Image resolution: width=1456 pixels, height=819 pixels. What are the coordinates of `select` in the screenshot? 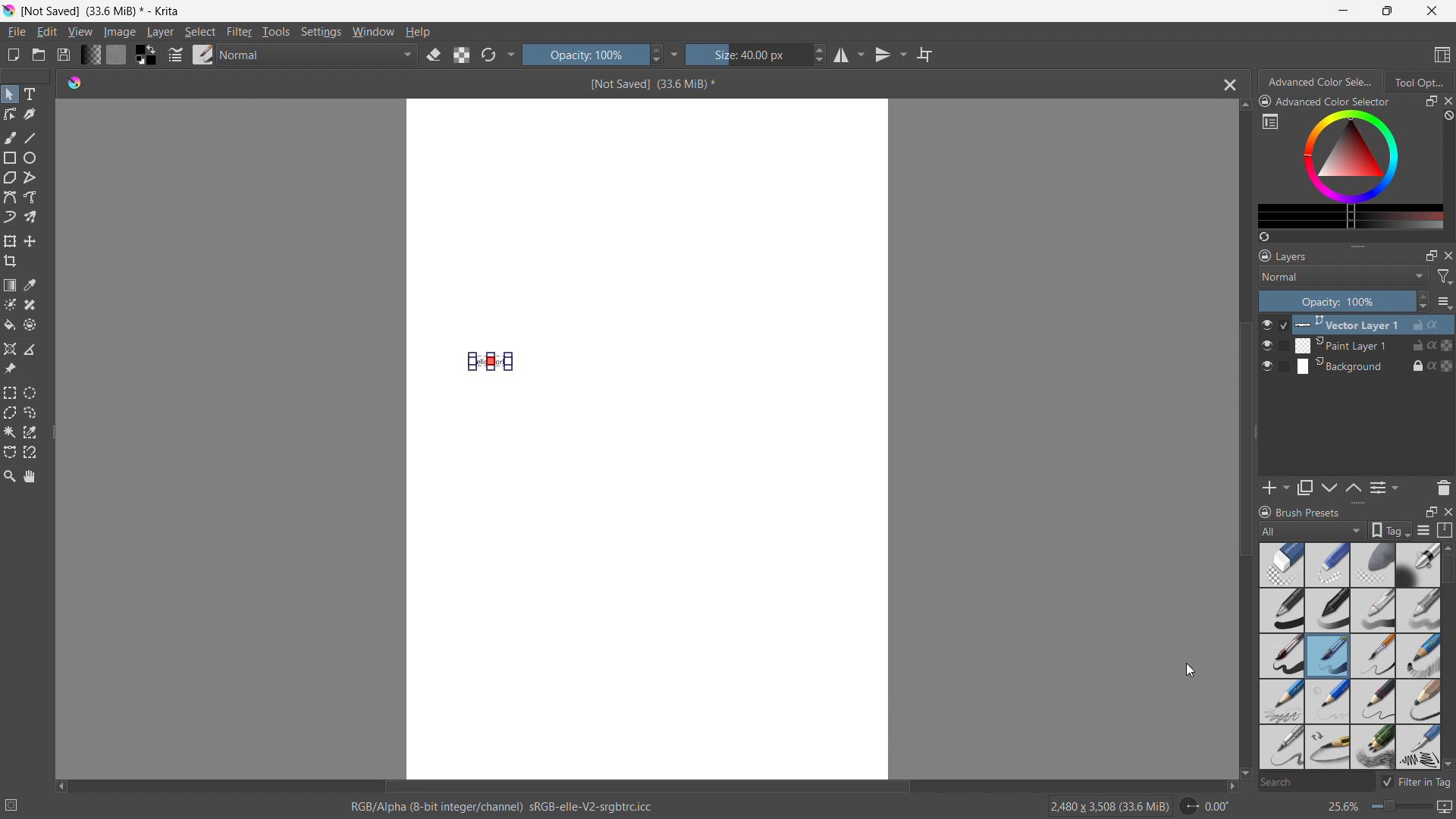 It's located at (199, 32).